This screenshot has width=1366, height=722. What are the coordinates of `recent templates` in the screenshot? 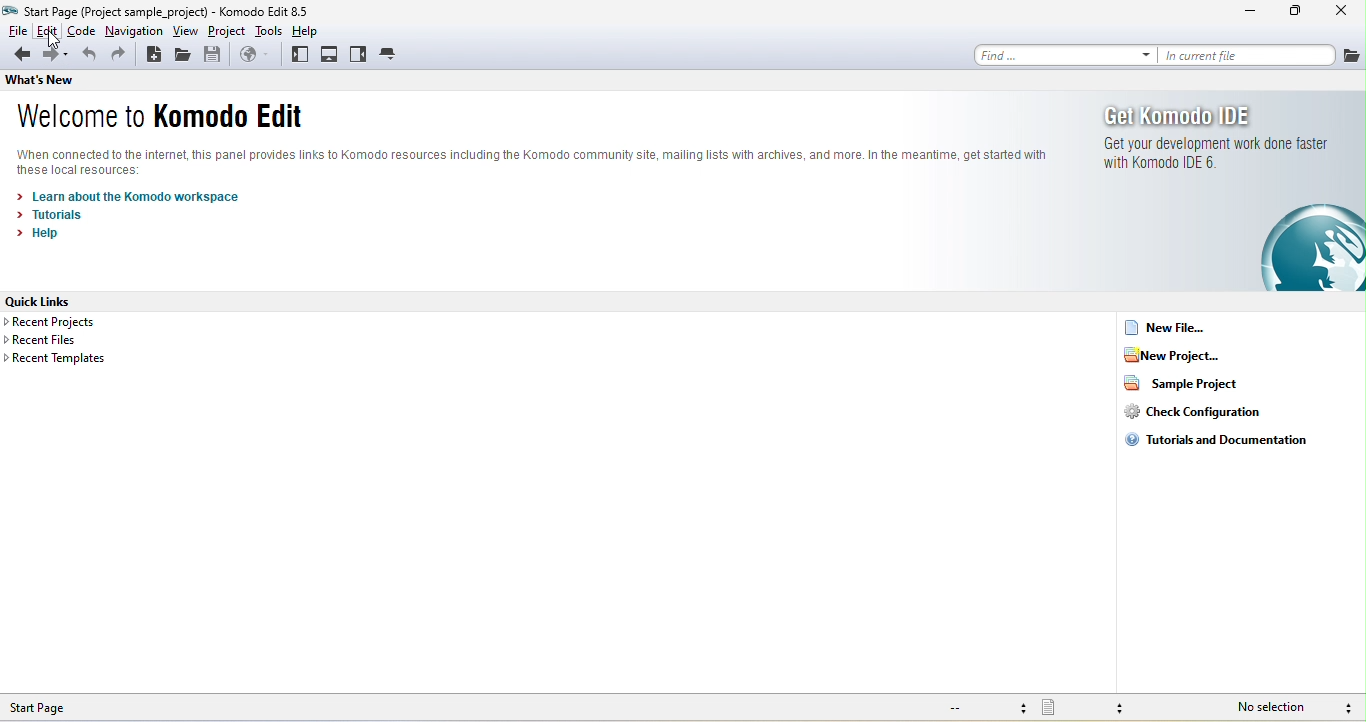 It's located at (70, 358).